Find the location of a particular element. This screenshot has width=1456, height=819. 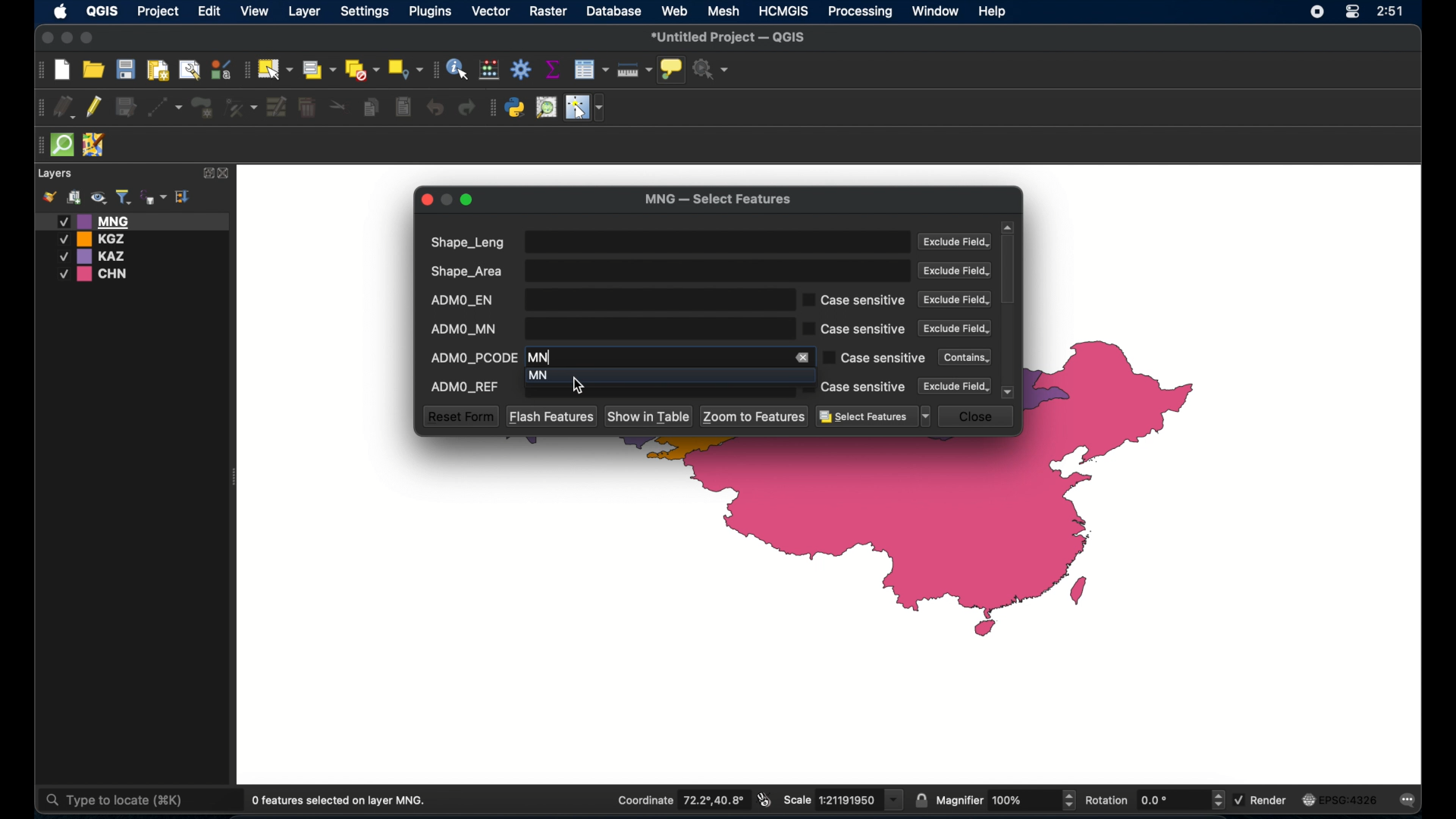

plugins is located at coordinates (492, 108).